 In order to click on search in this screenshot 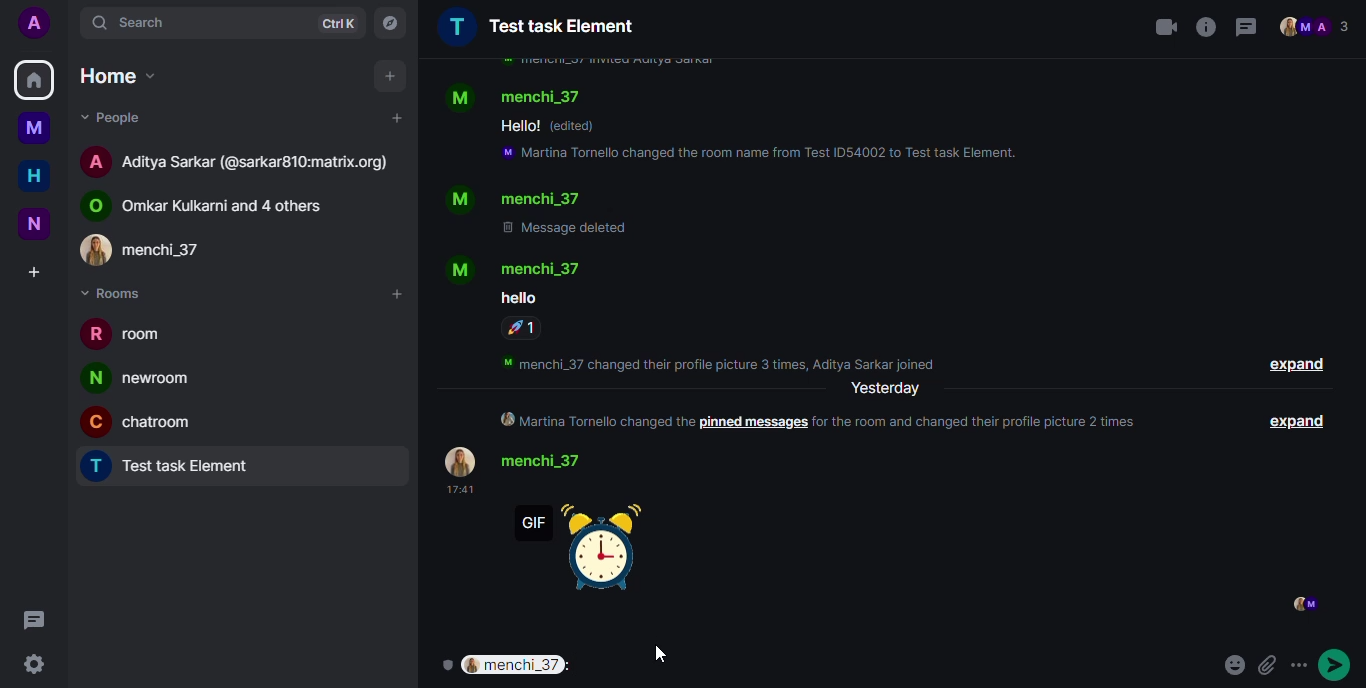, I will do `click(137, 19)`.